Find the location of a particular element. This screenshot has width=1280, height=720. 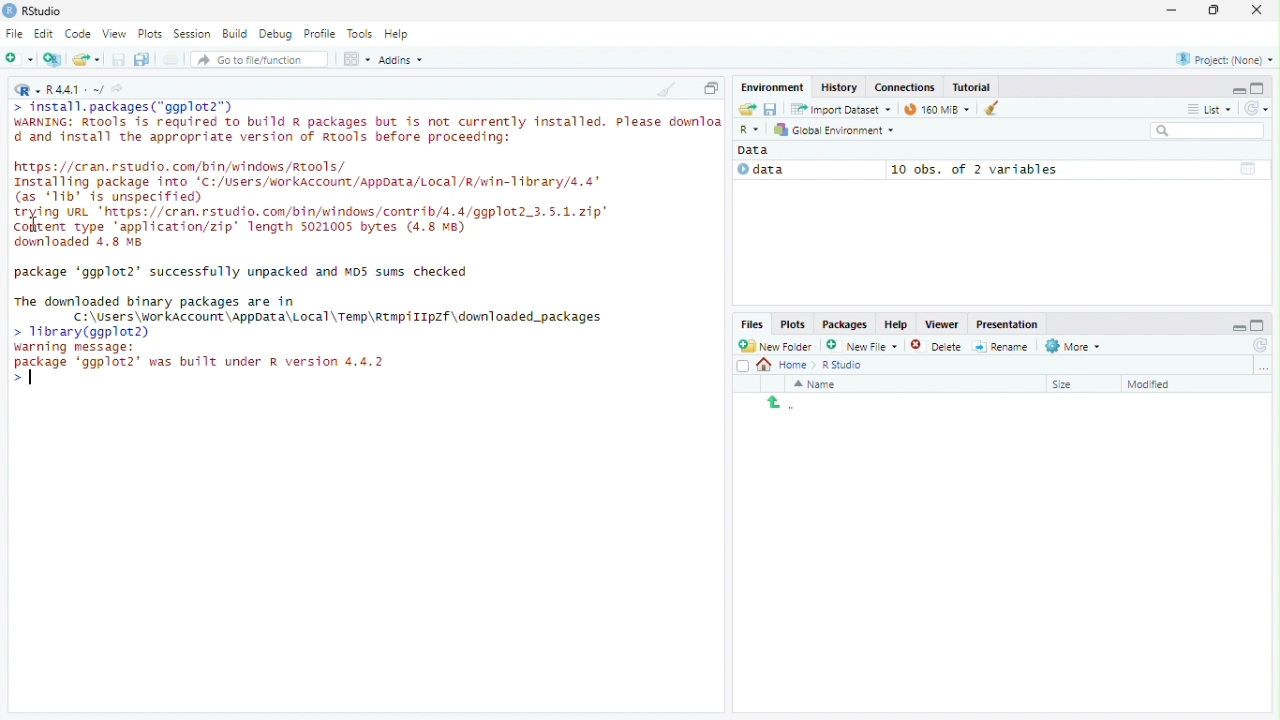

Session is located at coordinates (193, 33).